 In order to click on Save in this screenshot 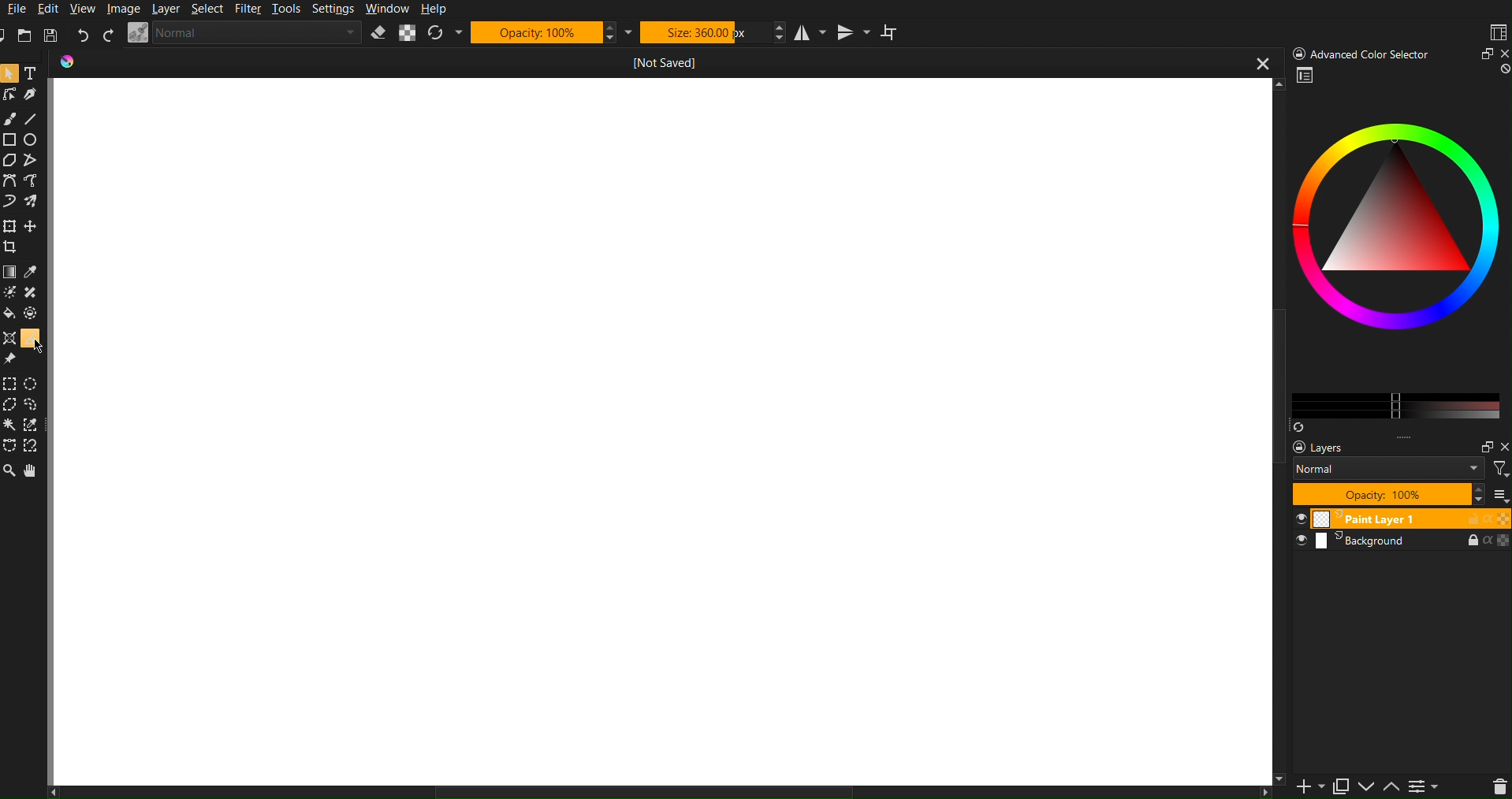, I will do `click(49, 35)`.